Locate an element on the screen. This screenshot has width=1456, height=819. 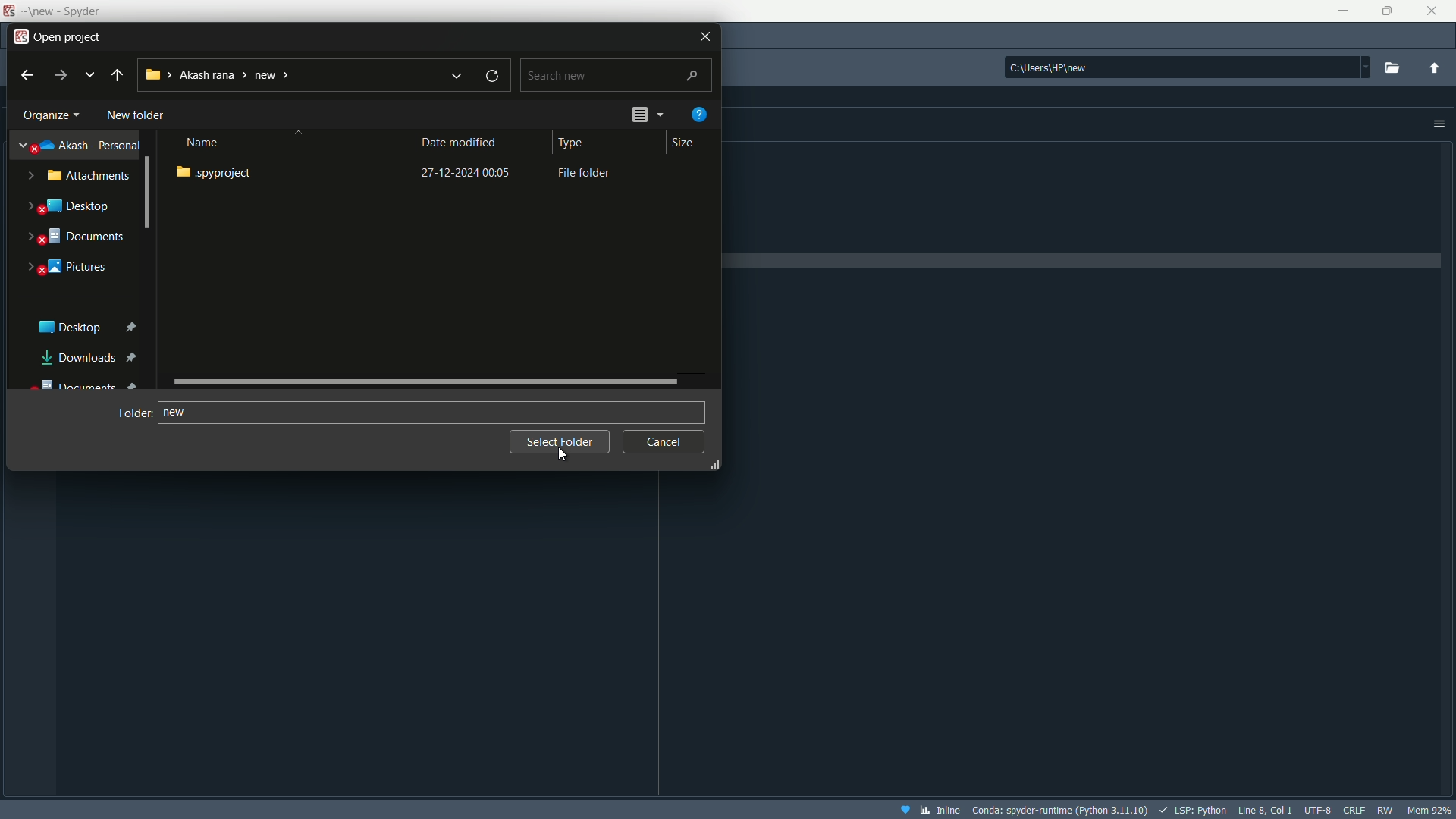
downloads is located at coordinates (93, 356).